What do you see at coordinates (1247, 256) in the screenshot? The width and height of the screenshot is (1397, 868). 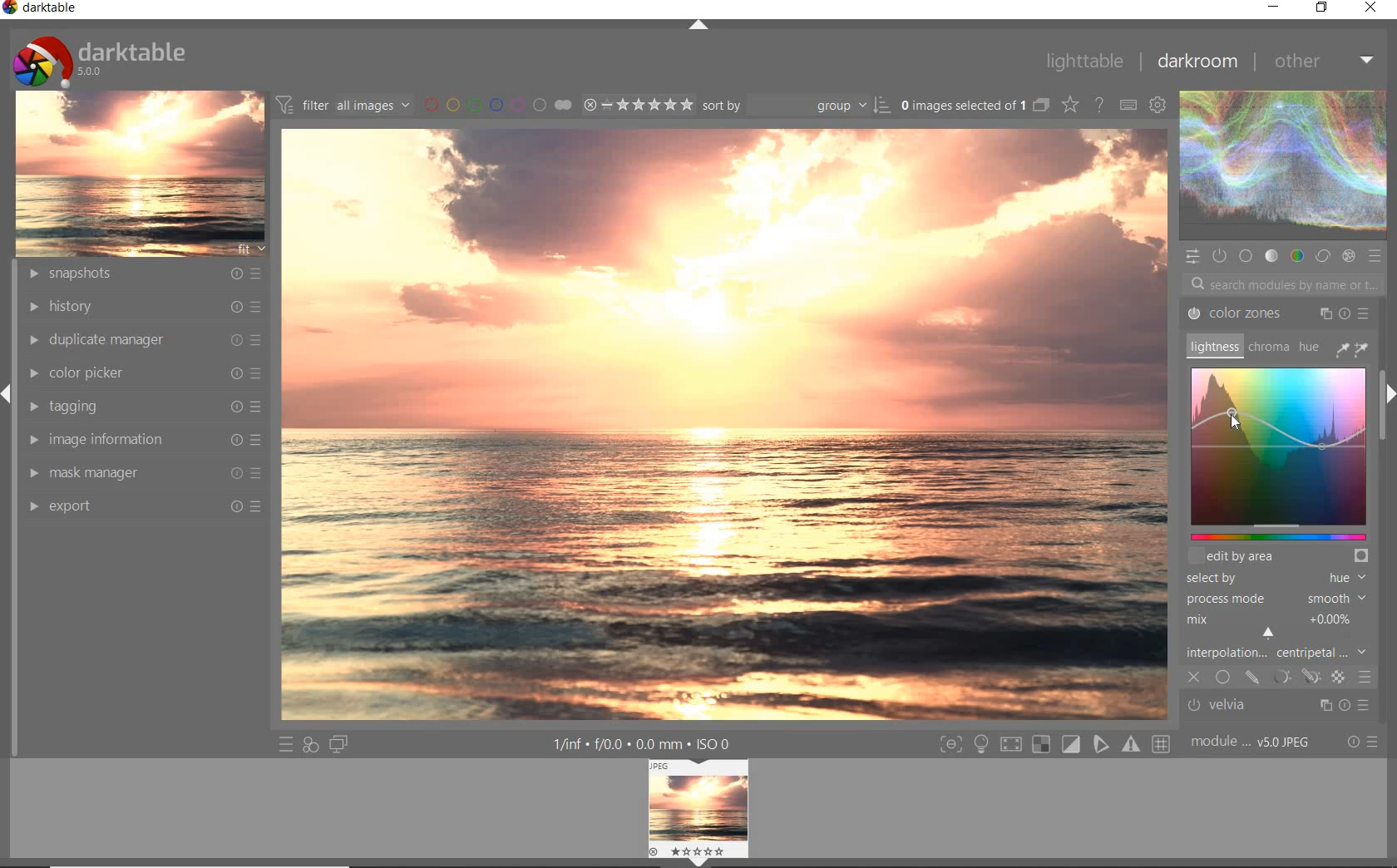 I see `BASE` at bounding box center [1247, 256].